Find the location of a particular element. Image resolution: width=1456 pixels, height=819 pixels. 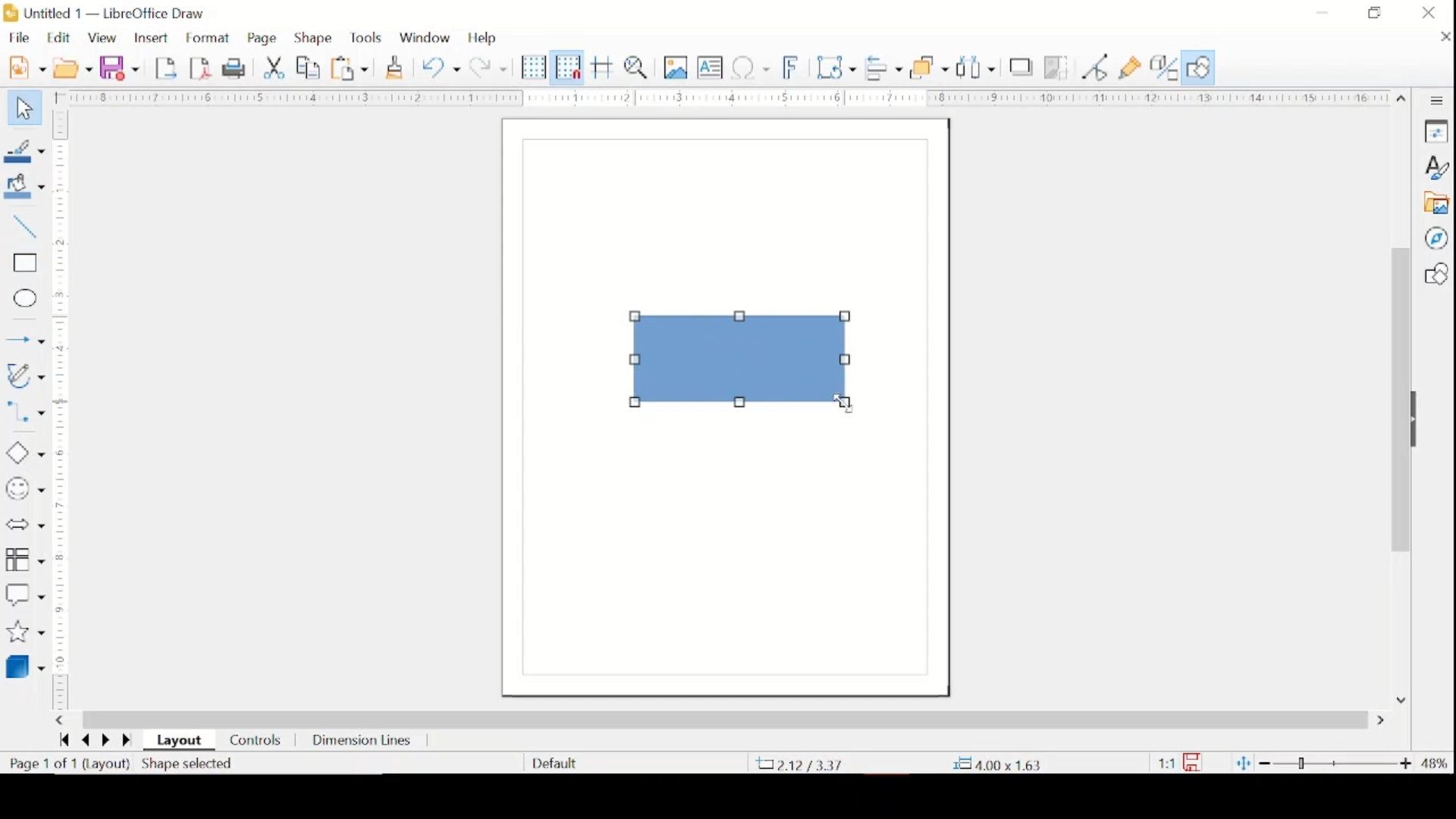

paste options is located at coordinates (350, 69).